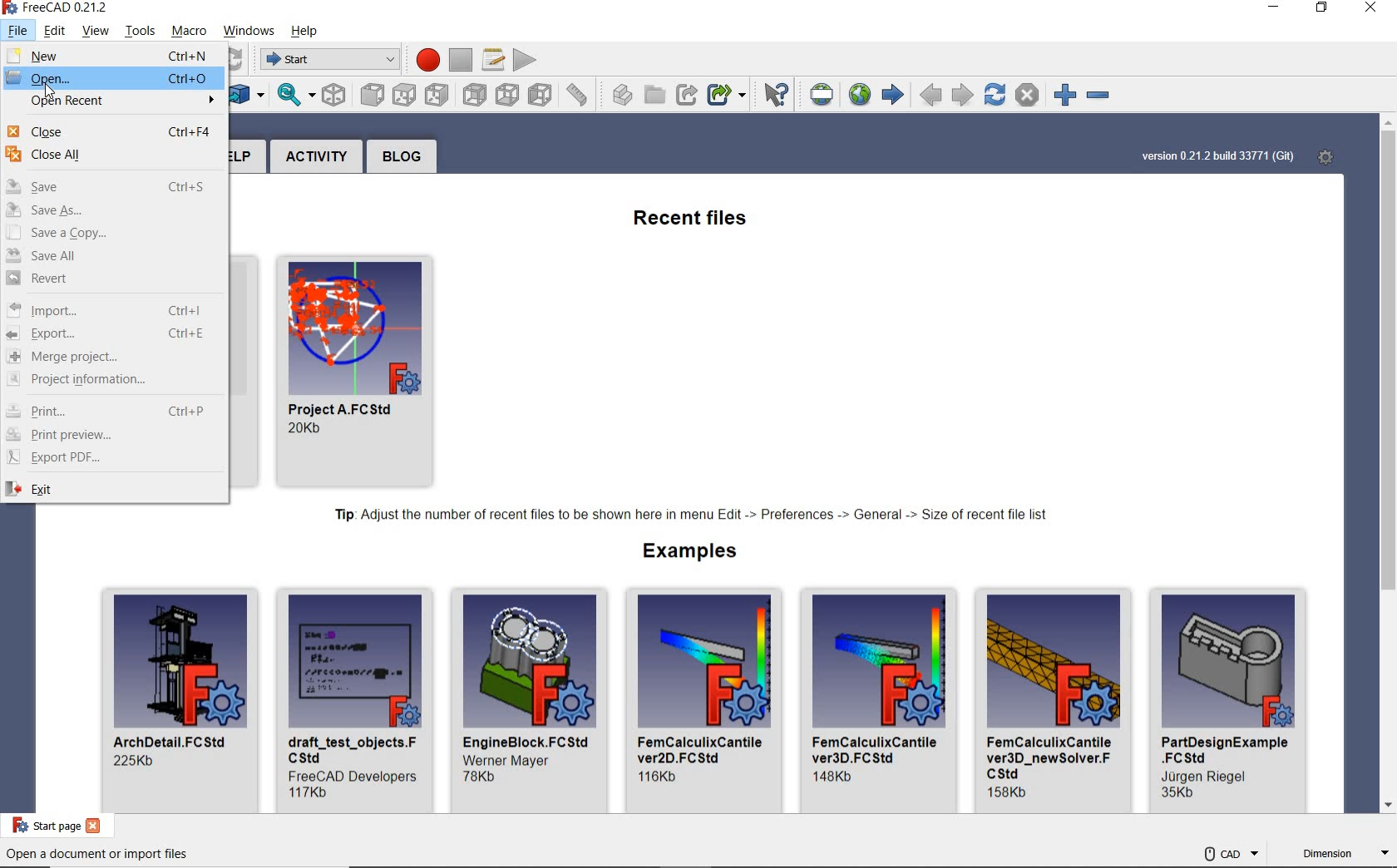 This screenshot has width=1397, height=868. What do you see at coordinates (693, 552) in the screenshot?
I see `EXAMPLES` at bounding box center [693, 552].